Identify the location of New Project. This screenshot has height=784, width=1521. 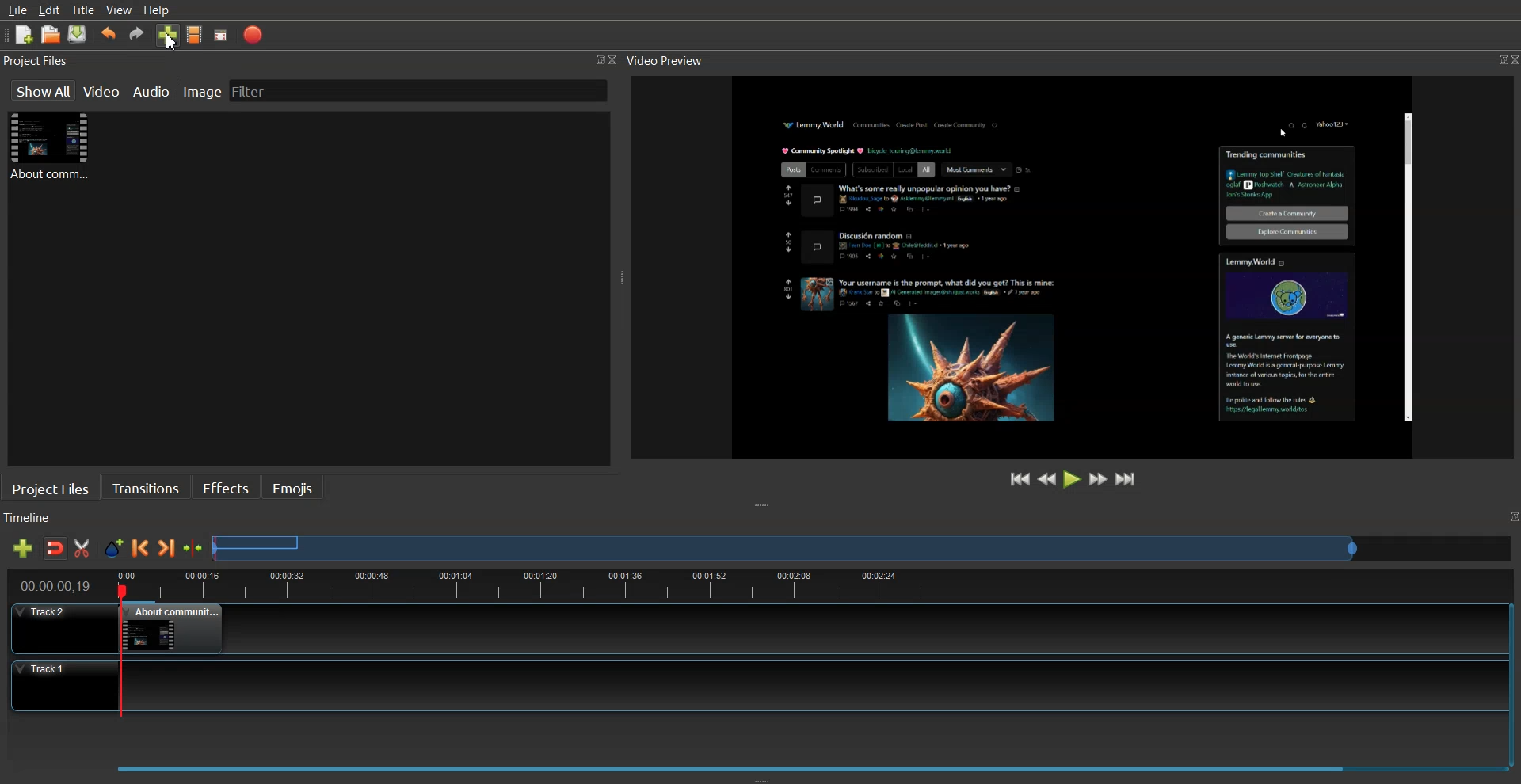
(25, 36).